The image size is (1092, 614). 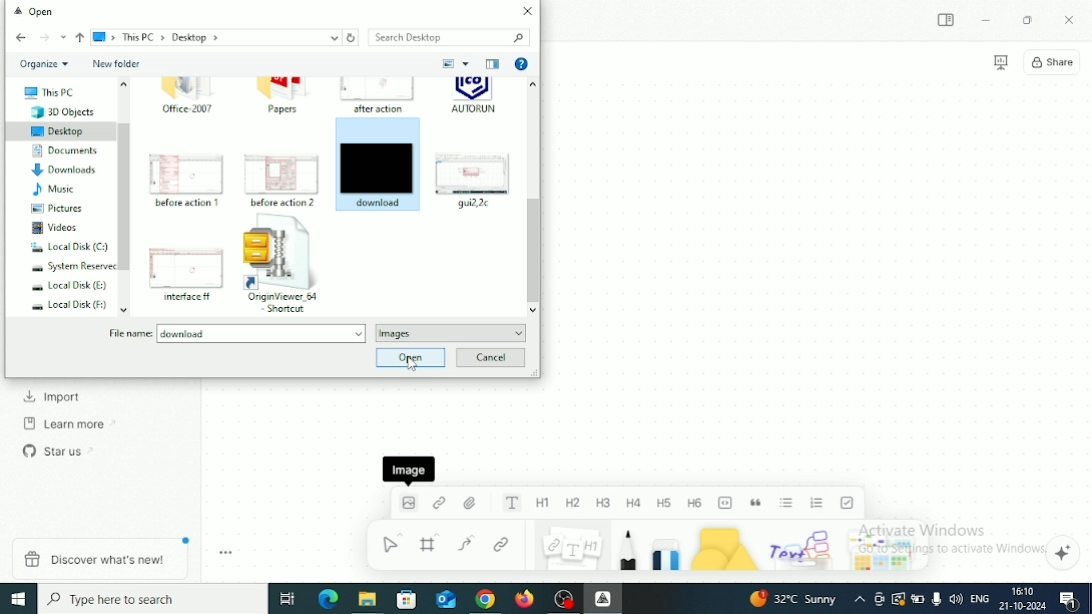 I want to click on Close, so click(x=1069, y=21).